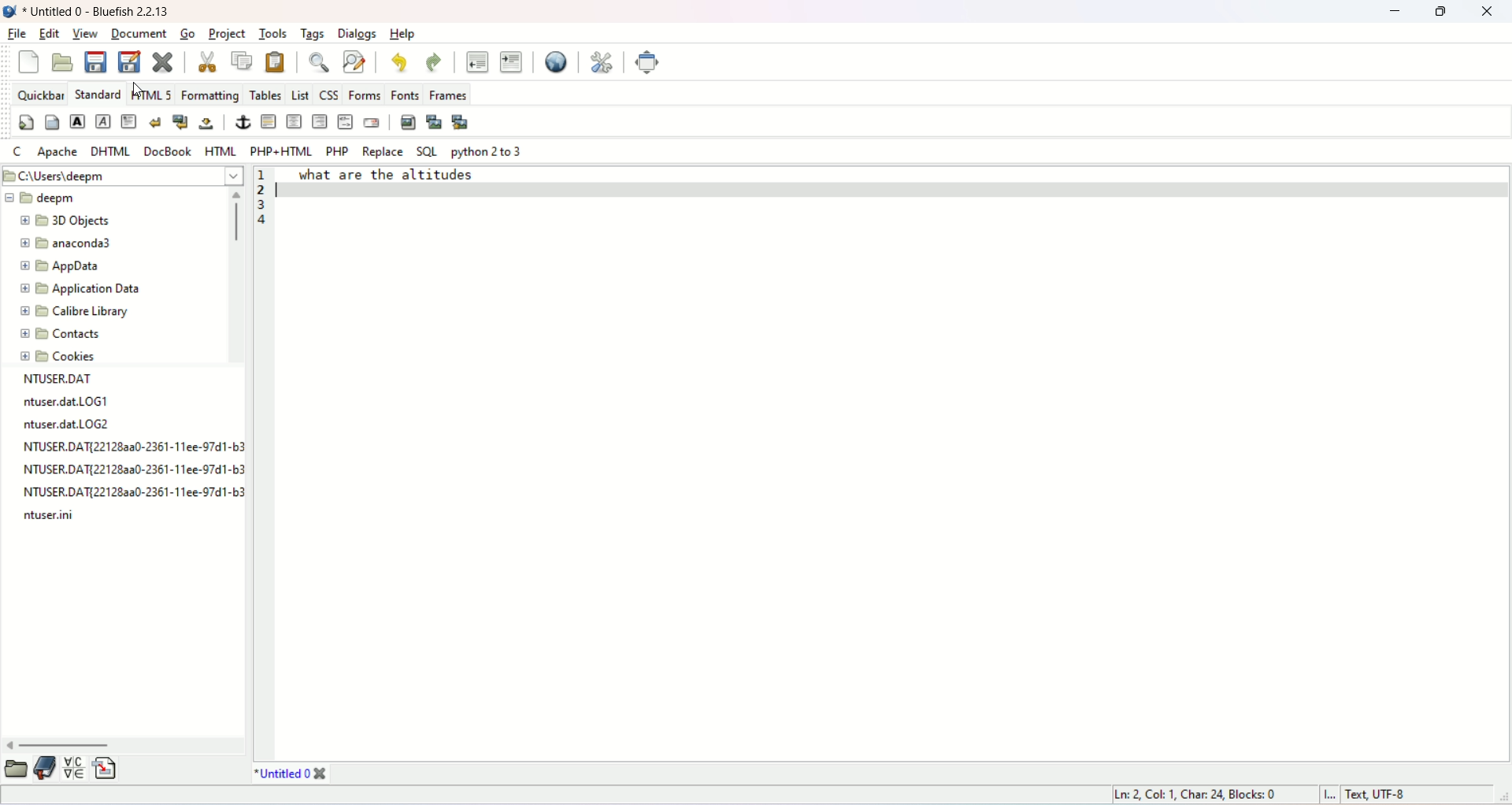 This screenshot has height=805, width=1512. What do you see at coordinates (336, 150) in the screenshot?
I see `PHP` at bounding box center [336, 150].